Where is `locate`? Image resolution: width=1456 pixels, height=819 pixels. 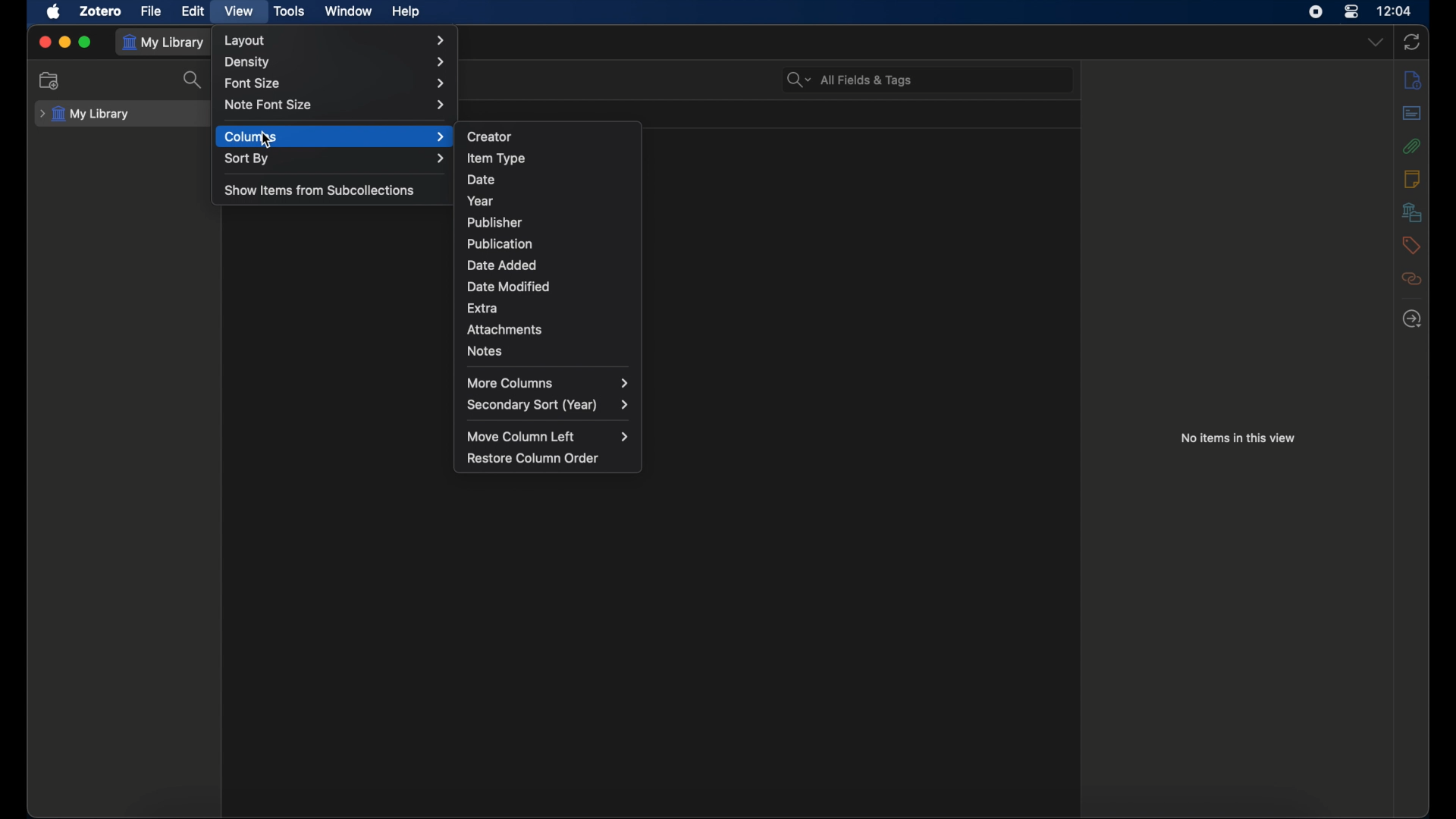 locate is located at coordinates (1412, 319).